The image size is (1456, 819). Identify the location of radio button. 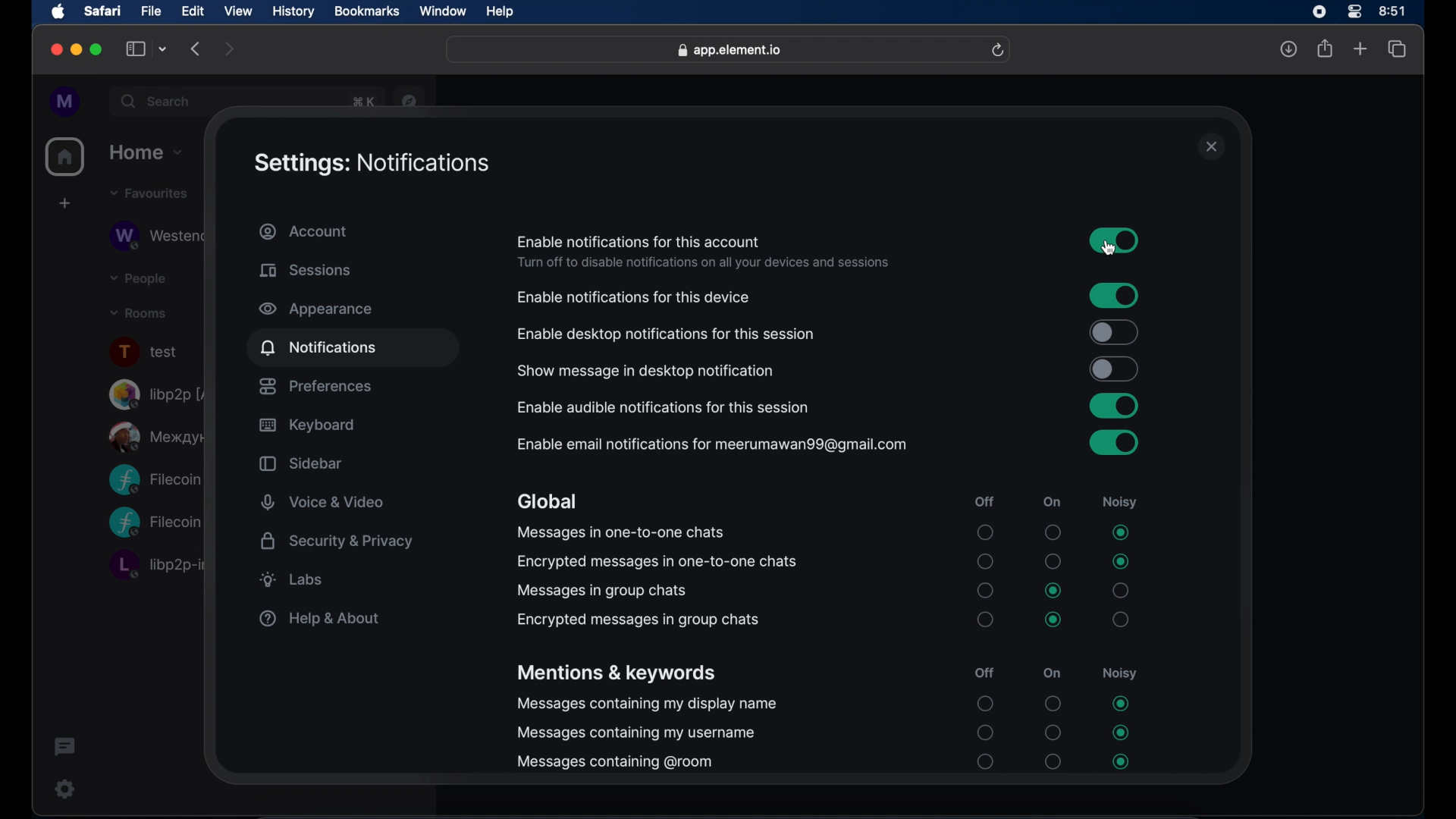
(1053, 620).